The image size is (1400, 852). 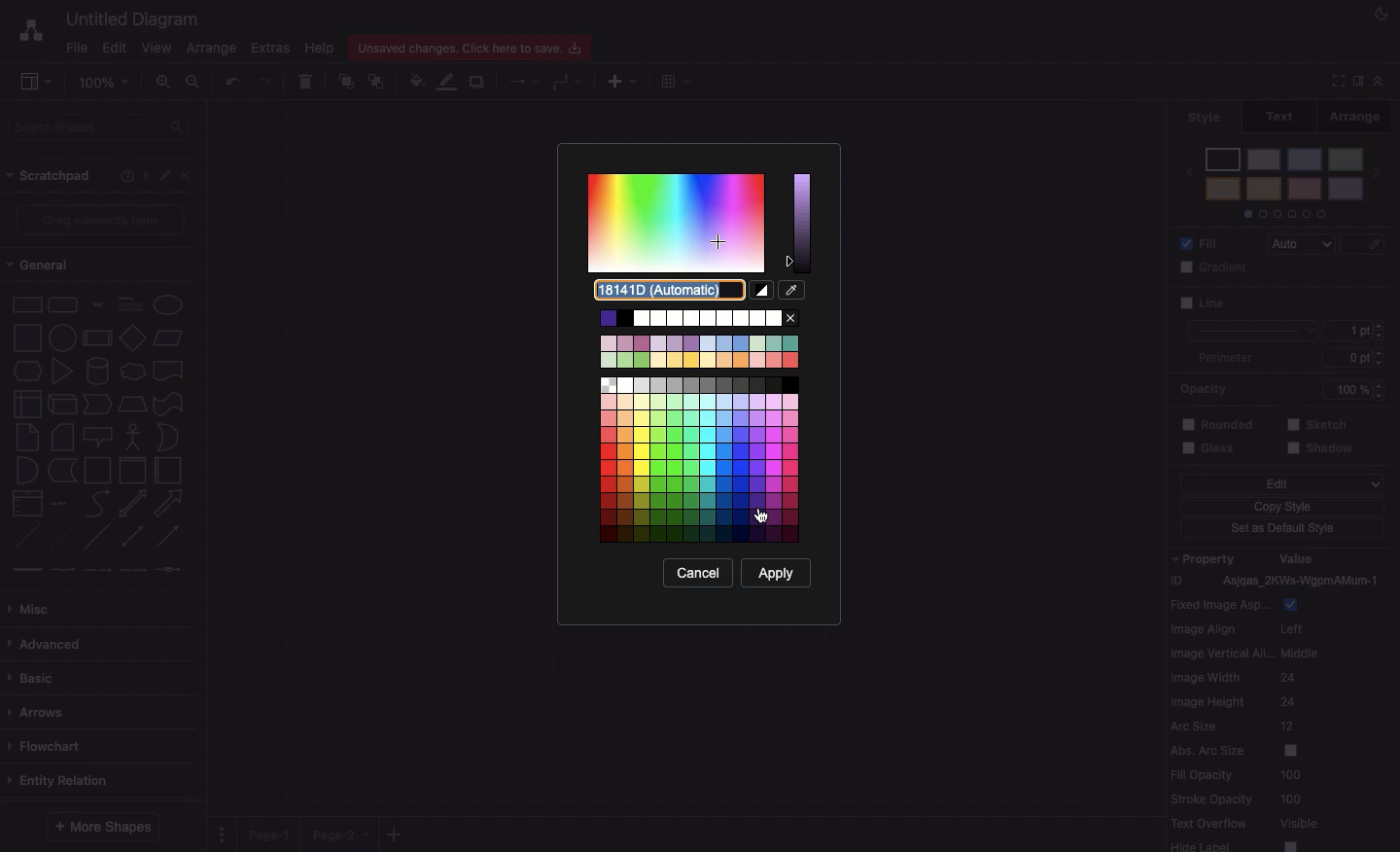 I want to click on Unsaved changes. click here to save, so click(x=474, y=47).